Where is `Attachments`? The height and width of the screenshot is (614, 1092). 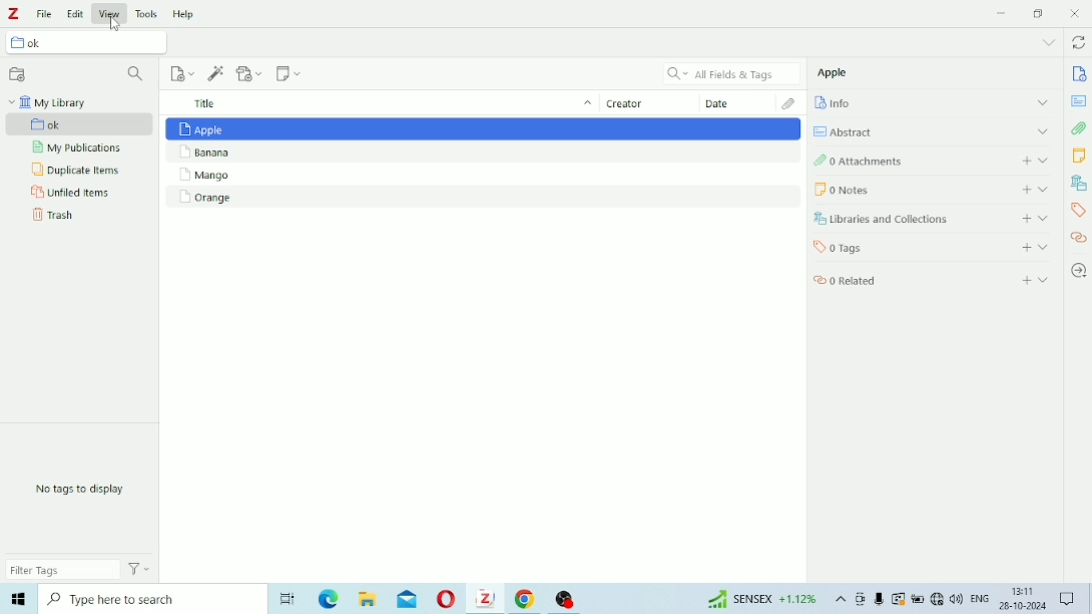
Attachments is located at coordinates (890, 162).